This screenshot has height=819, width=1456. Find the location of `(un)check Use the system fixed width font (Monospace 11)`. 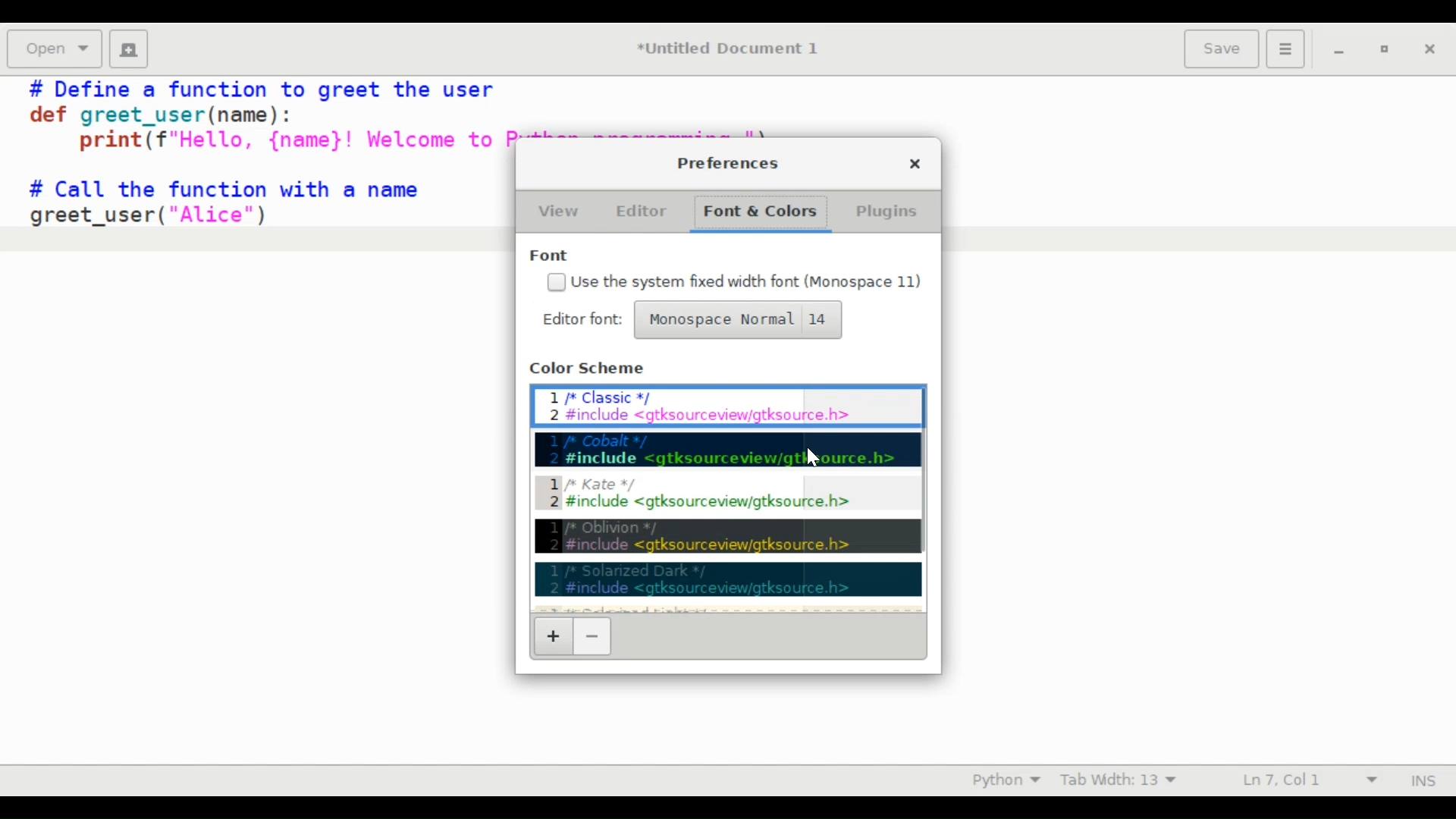

(un)check Use the system fixed width font (Monospace 11) is located at coordinates (733, 283).